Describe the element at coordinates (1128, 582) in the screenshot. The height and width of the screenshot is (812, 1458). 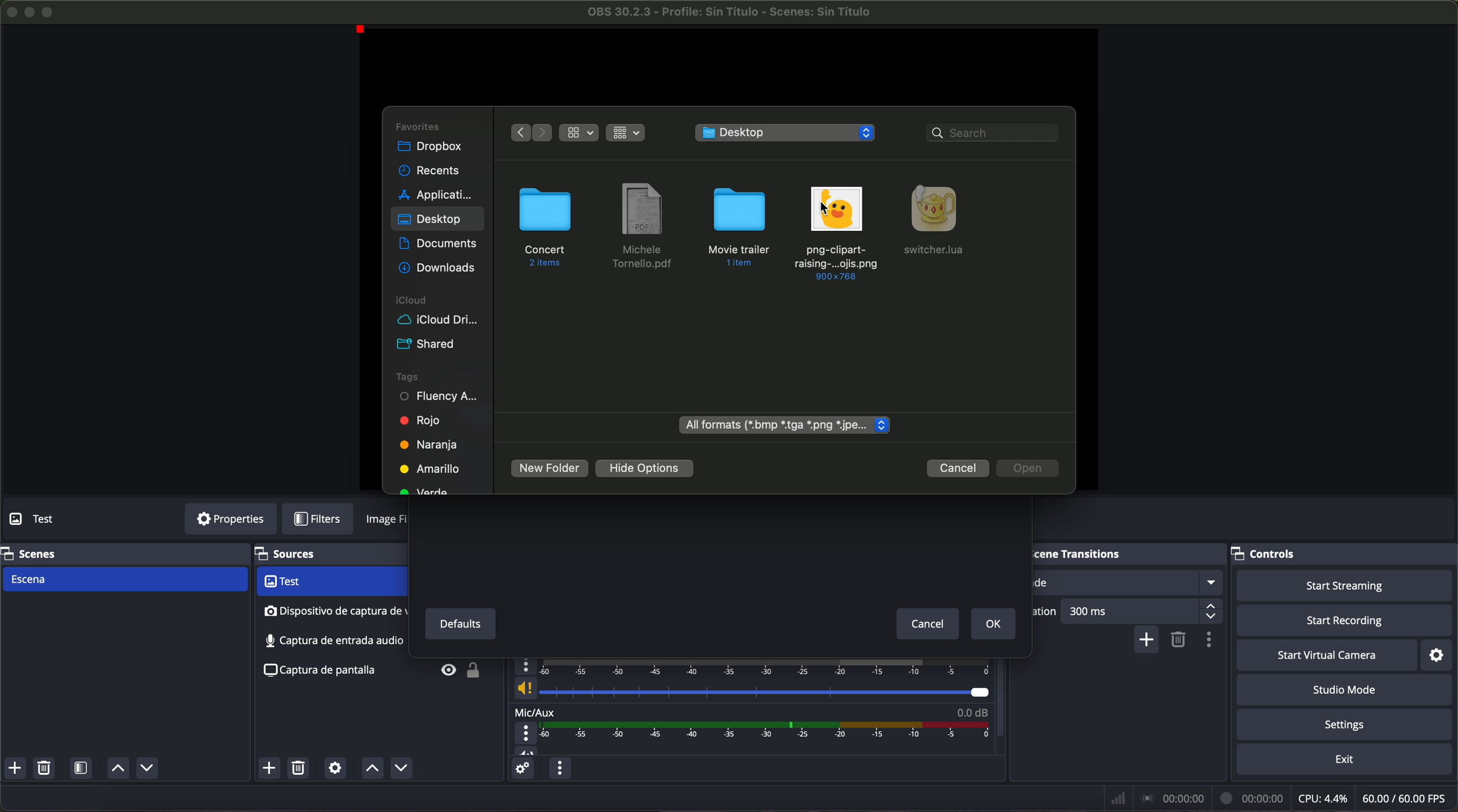
I see `fade` at that location.